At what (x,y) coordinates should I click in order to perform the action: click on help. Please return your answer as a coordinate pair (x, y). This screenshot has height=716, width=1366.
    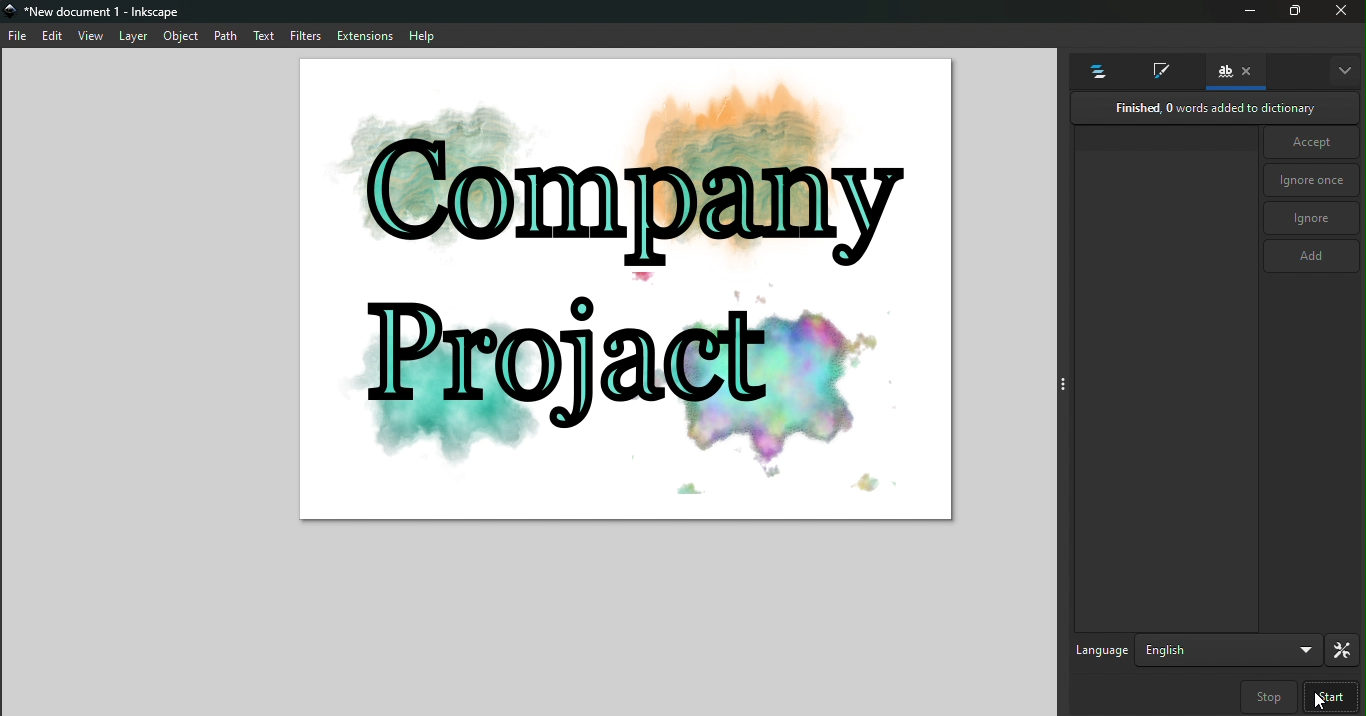
    Looking at the image, I should click on (420, 35).